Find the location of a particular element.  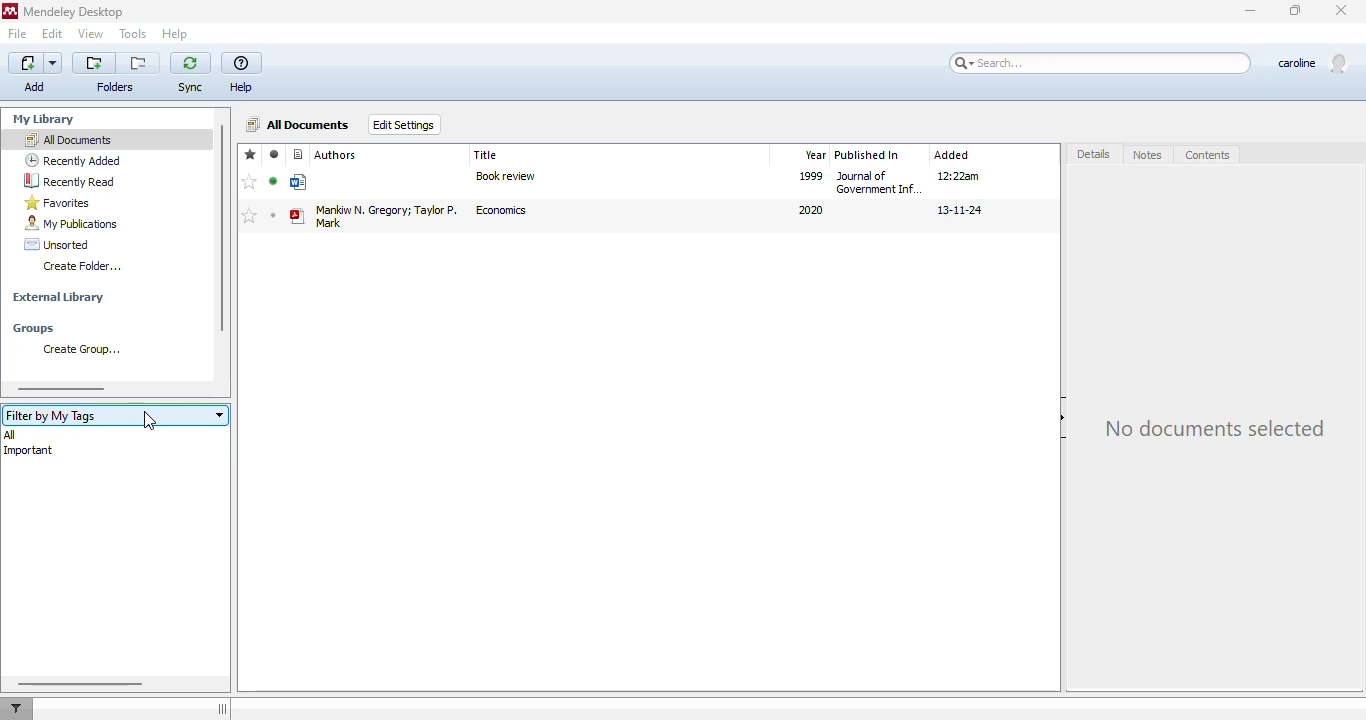

Remove folder is located at coordinates (138, 63).